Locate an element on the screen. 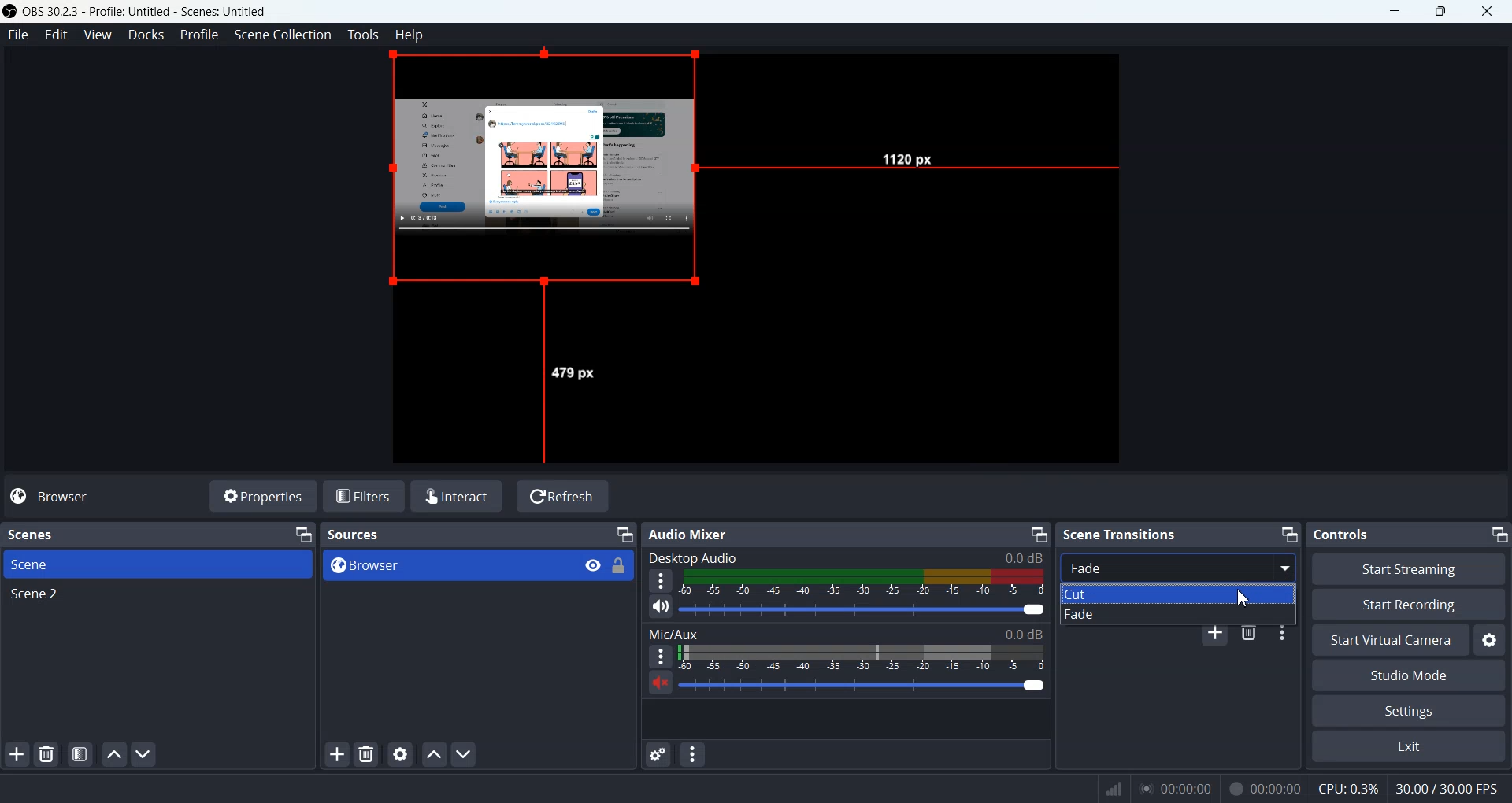  Minimize is located at coordinates (1288, 533).